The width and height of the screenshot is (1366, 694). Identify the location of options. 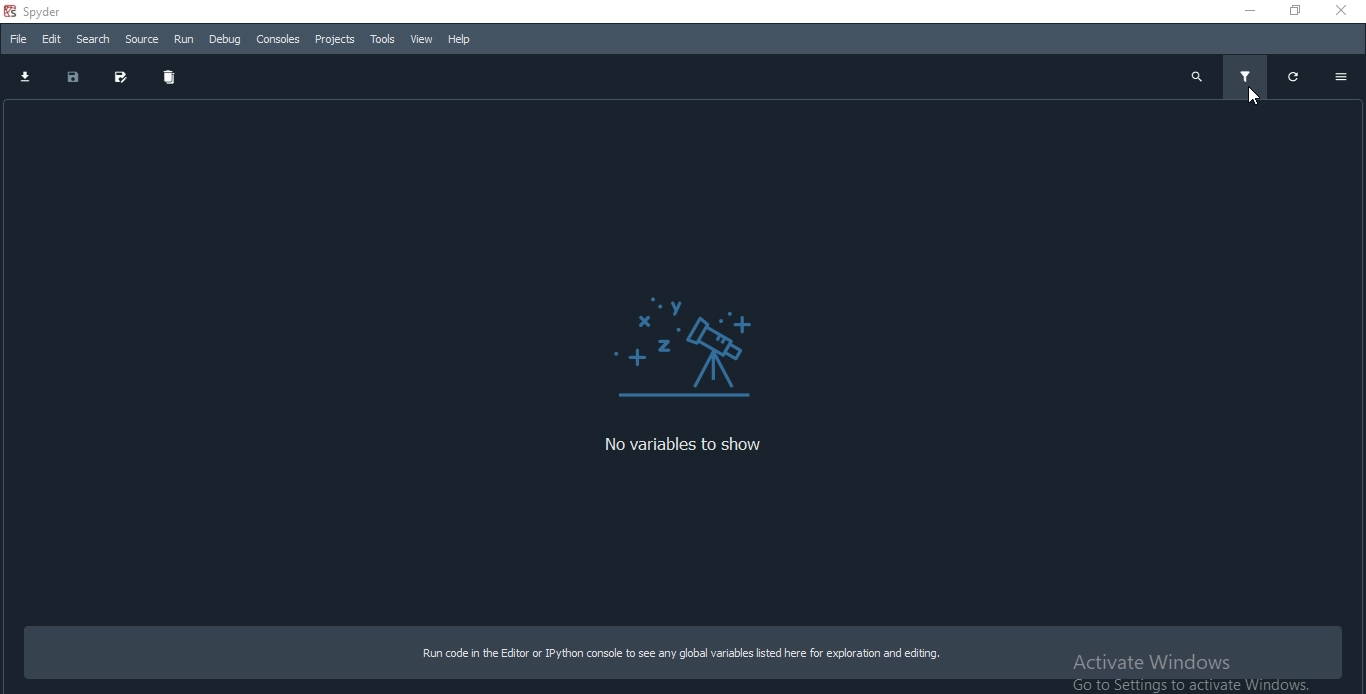
(1345, 77).